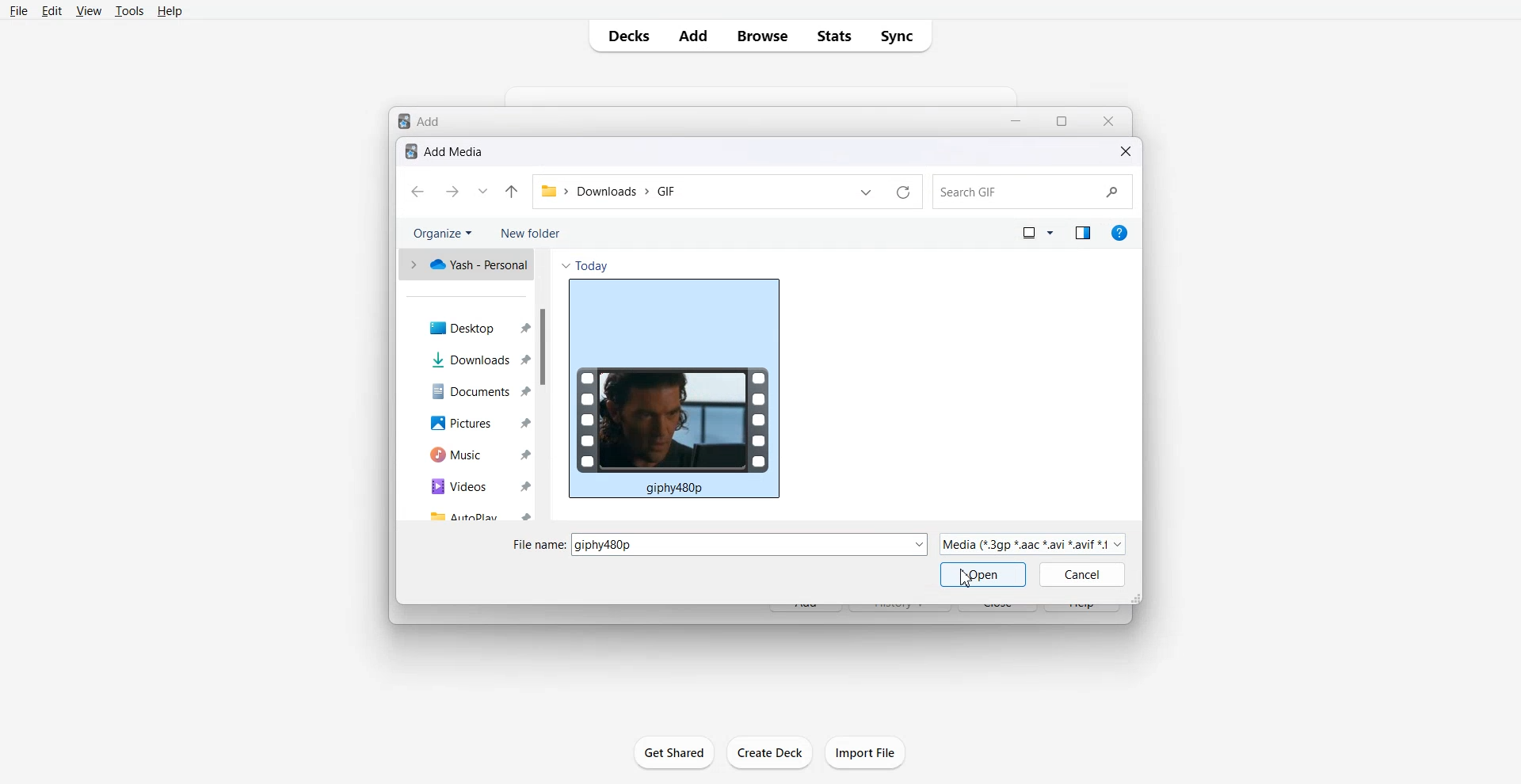 The image size is (1521, 784). I want to click on Videos, so click(471, 485).